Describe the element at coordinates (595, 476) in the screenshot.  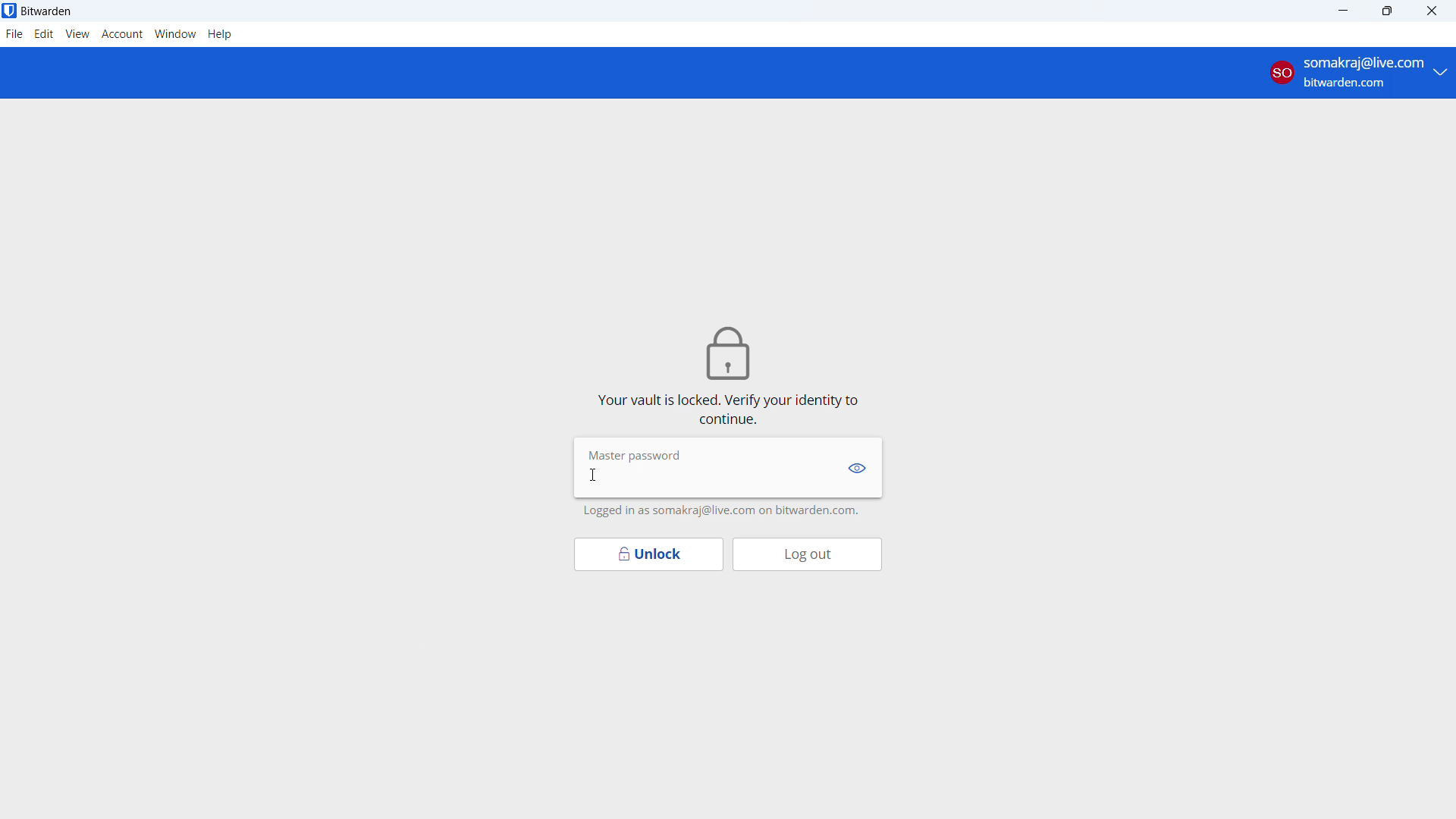
I see `cursor` at that location.